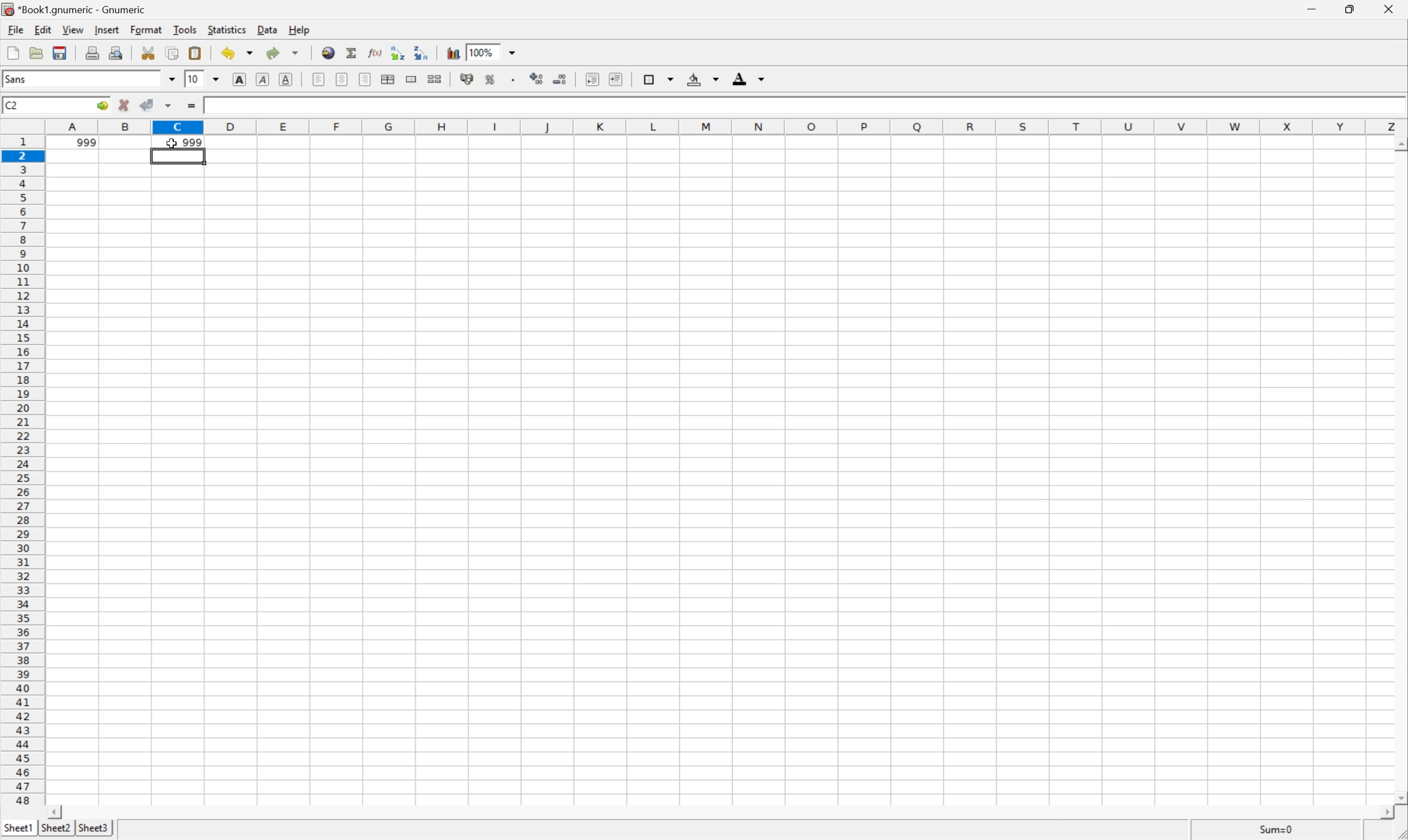 This screenshot has width=1408, height=840. I want to click on format selection as accounting, so click(468, 80).